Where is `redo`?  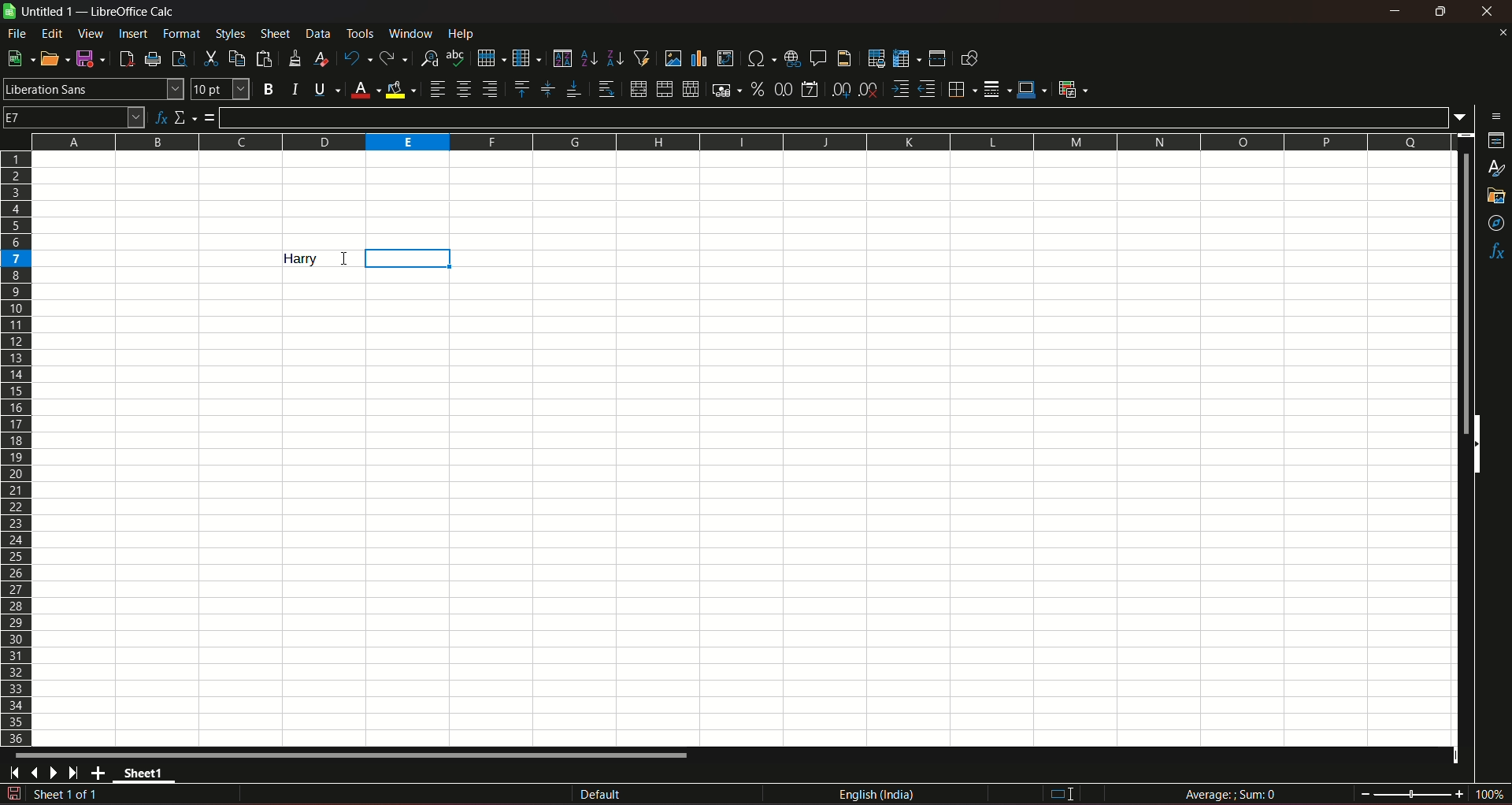 redo is located at coordinates (394, 57).